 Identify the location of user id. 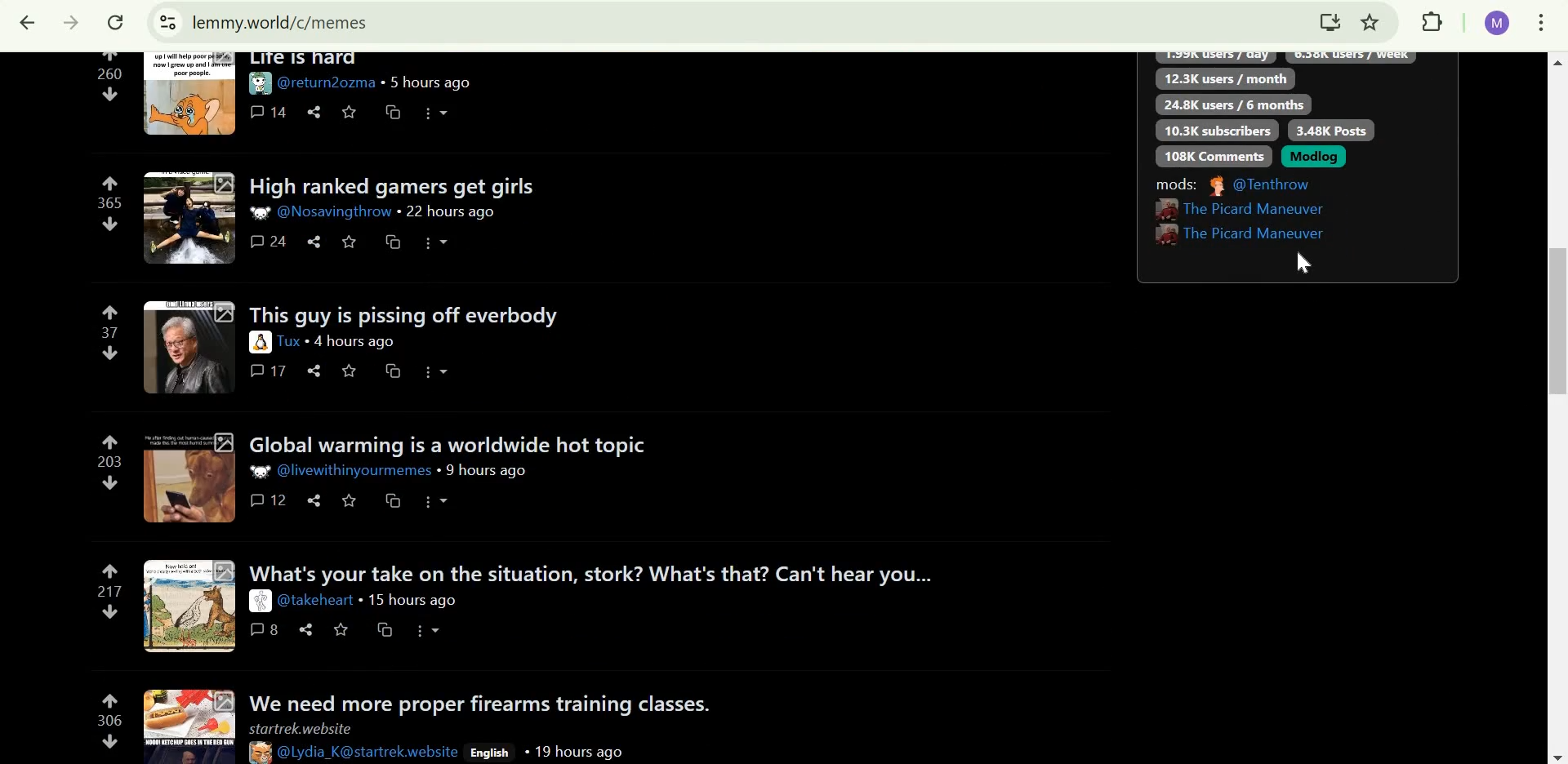
(292, 342).